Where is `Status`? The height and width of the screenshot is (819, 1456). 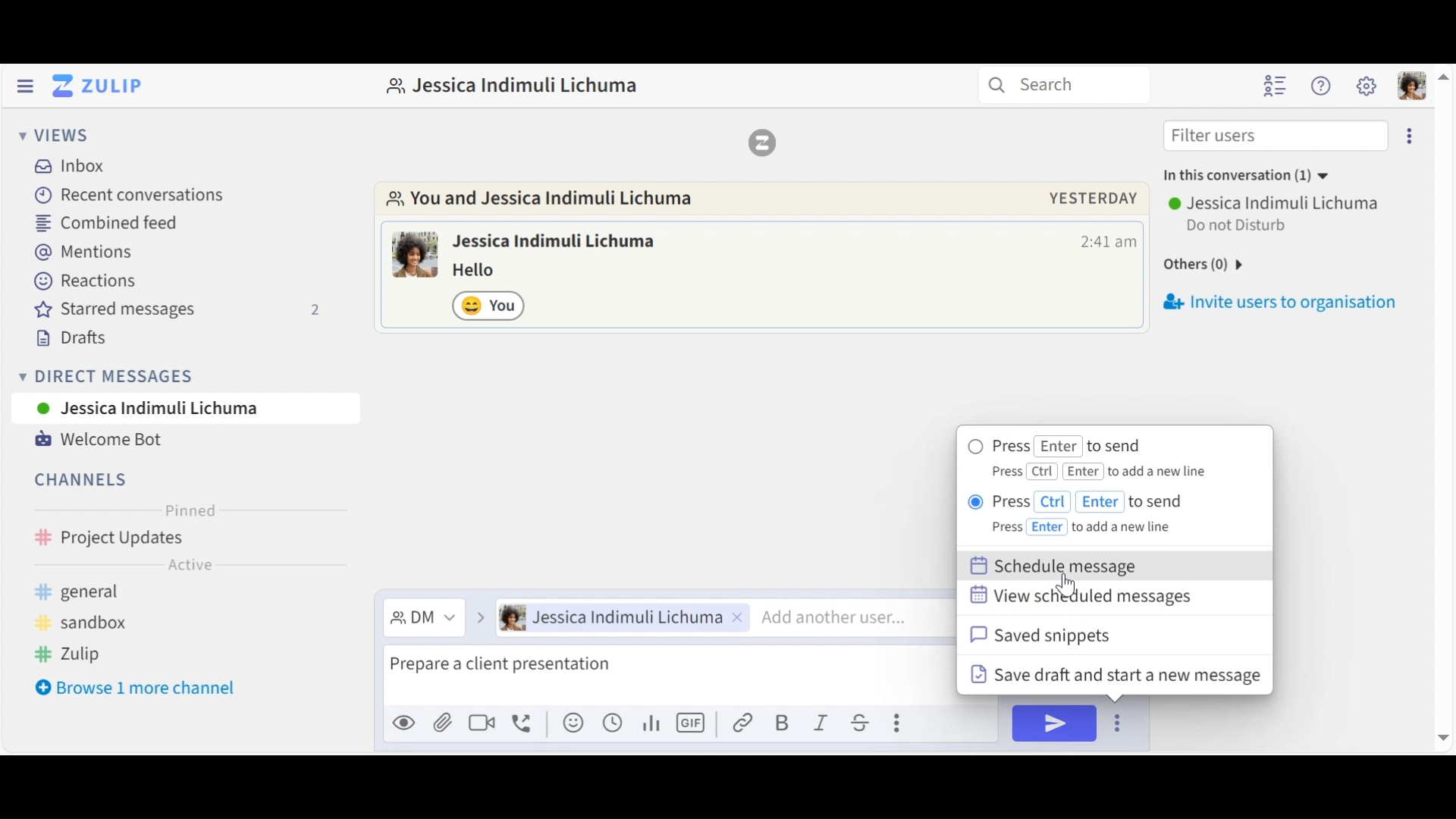 Status is located at coordinates (1239, 227).